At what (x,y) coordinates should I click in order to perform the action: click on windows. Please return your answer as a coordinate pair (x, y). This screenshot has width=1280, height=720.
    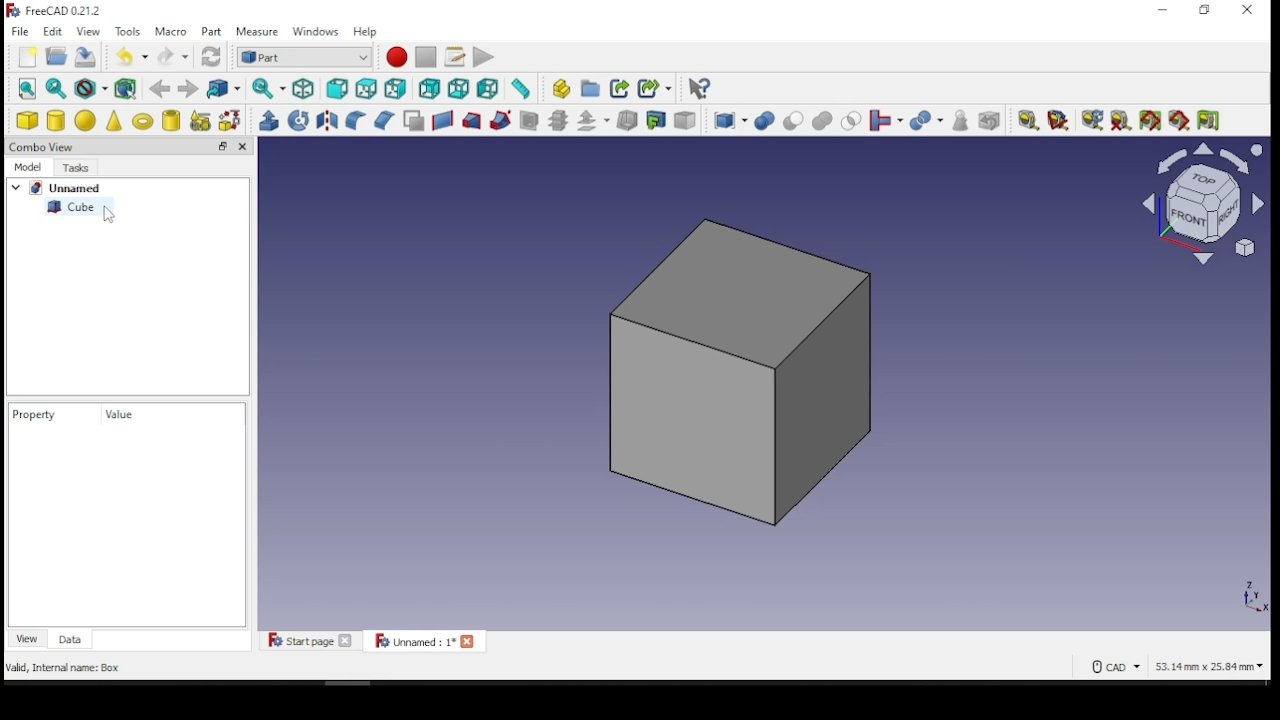
    Looking at the image, I should click on (317, 33).